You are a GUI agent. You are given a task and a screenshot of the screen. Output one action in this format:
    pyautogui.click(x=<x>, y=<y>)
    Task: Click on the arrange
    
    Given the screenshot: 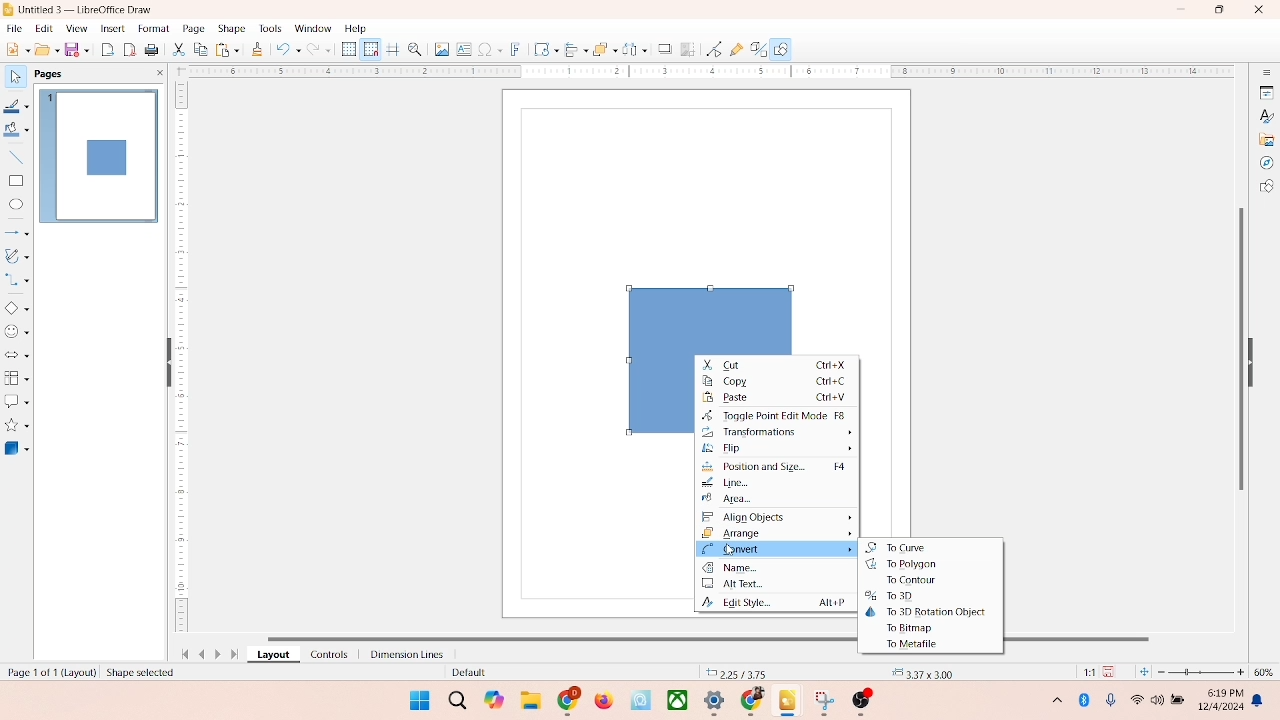 What is the action you would take?
    pyautogui.click(x=599, y=47)
    